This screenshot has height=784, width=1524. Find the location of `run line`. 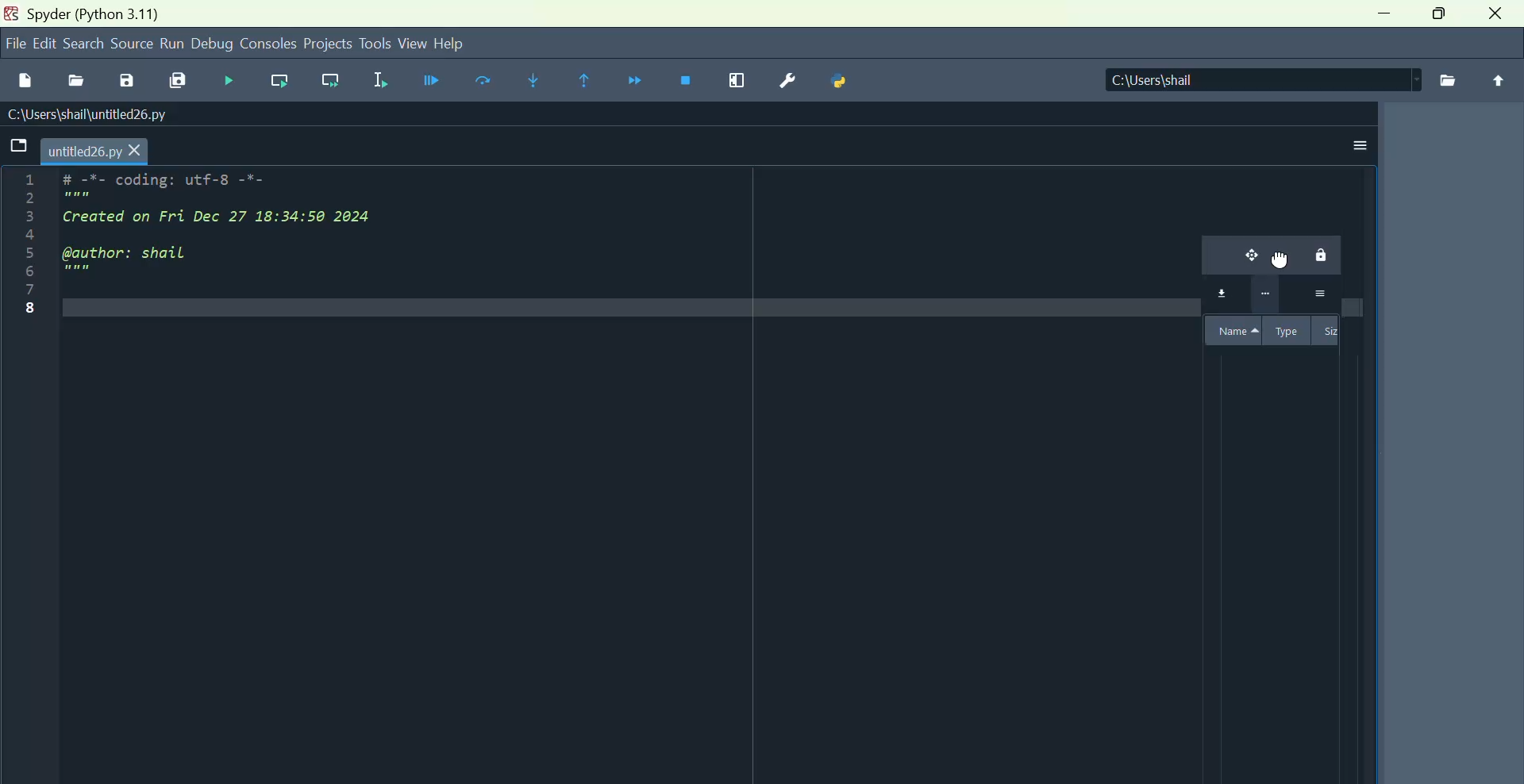

run line is located at coordinates (275, 81).